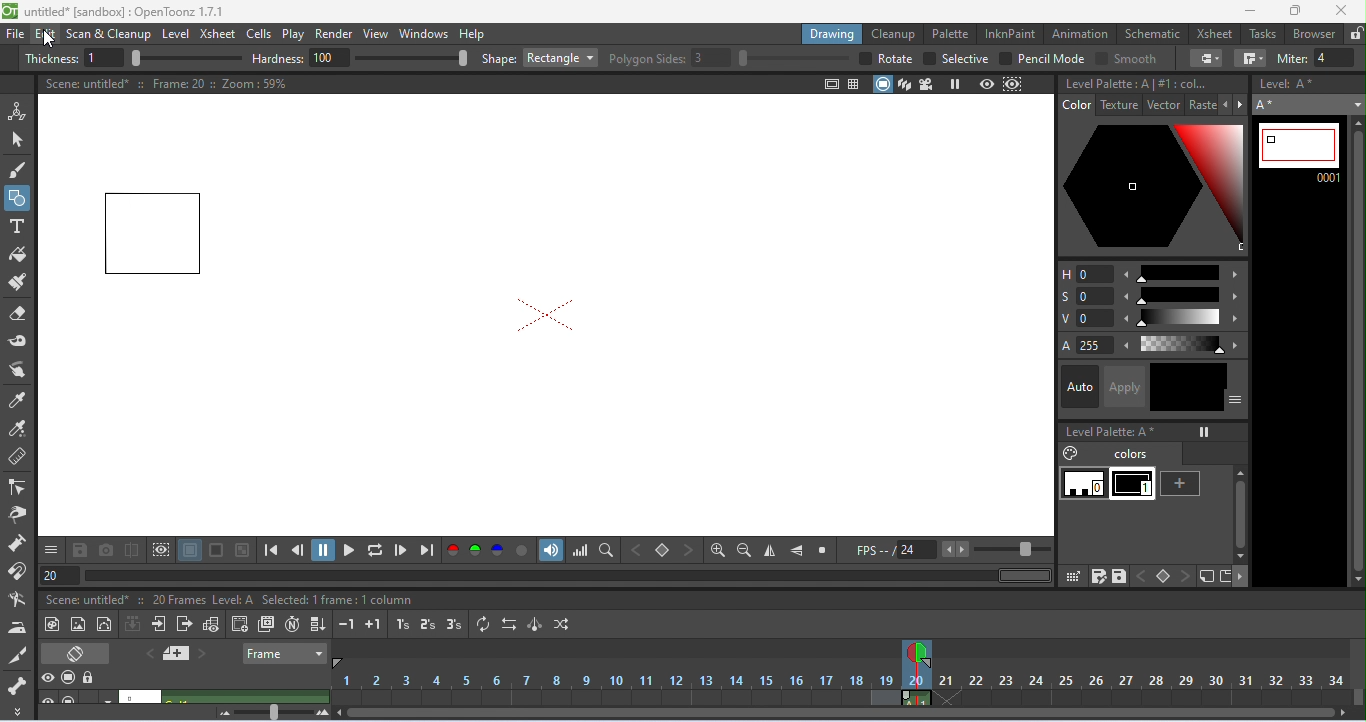 The image size is (1366, 722). What do you see at coordinates (770, 551) in the screenshot?
I see `flip horizontally` at bounding box center [770, 551].